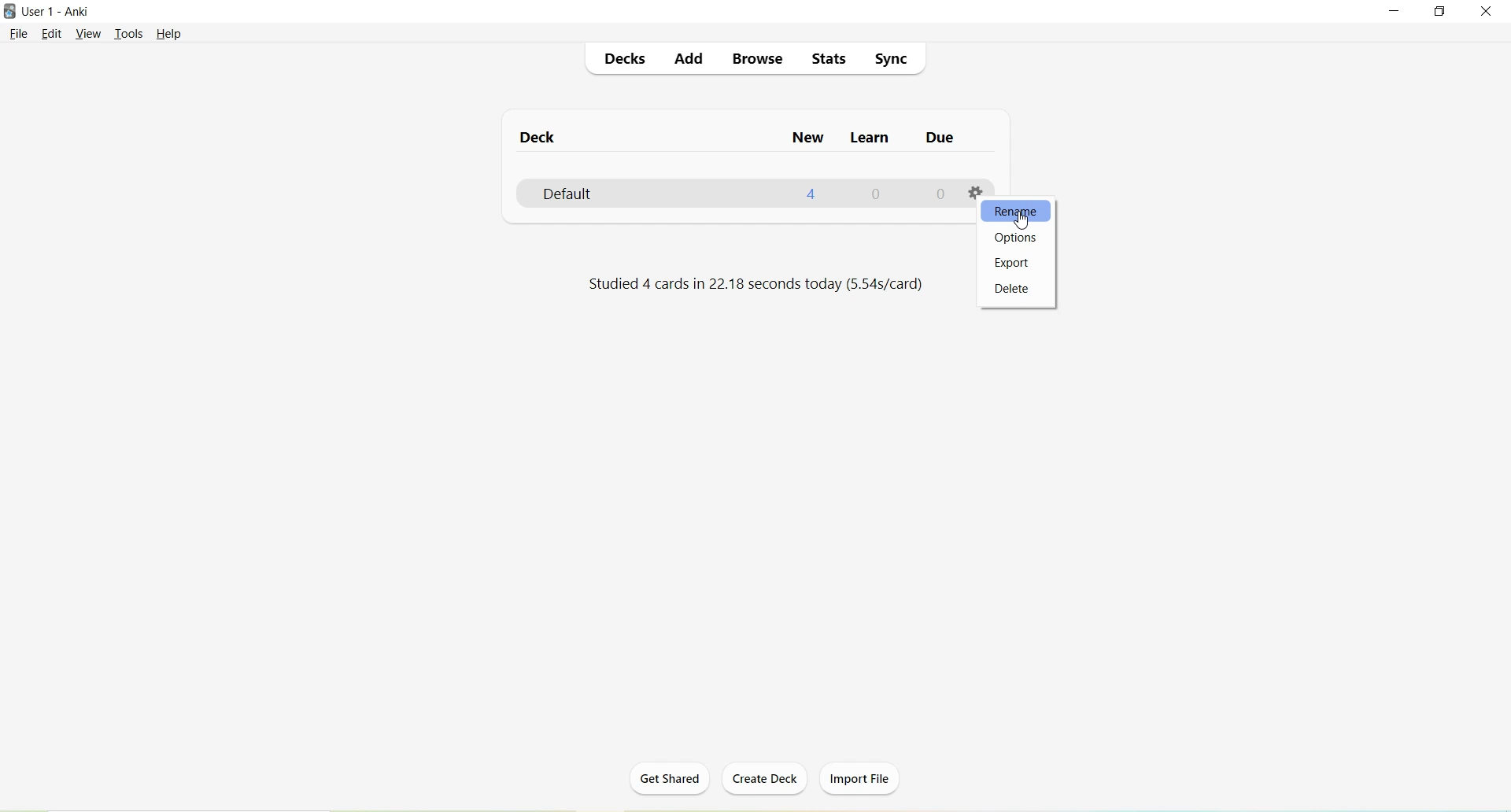 The width and height of the screenshot is (1511, 812). Describe the element at coordinates (975, 190) in the screenshot. I see `Options` at that location.